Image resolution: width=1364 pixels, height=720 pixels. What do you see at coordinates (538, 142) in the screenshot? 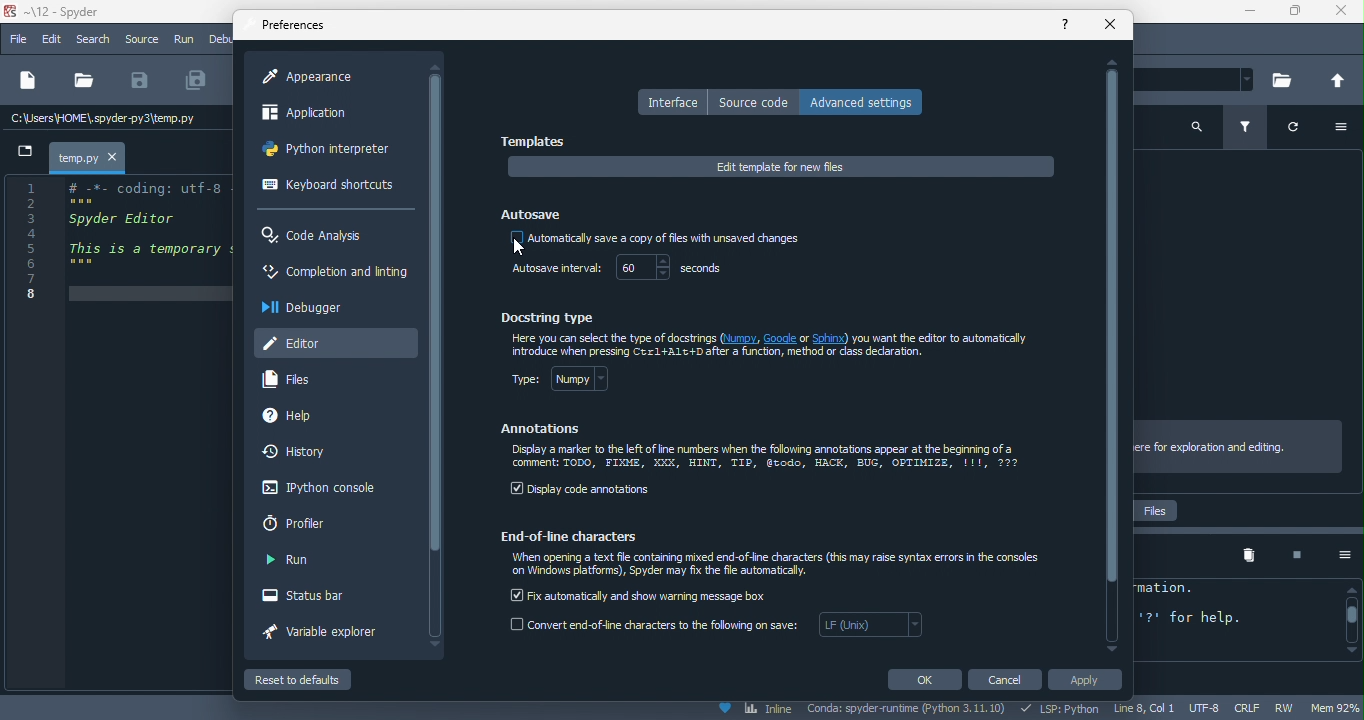
I see `templates` at bounding box center [538, 142].